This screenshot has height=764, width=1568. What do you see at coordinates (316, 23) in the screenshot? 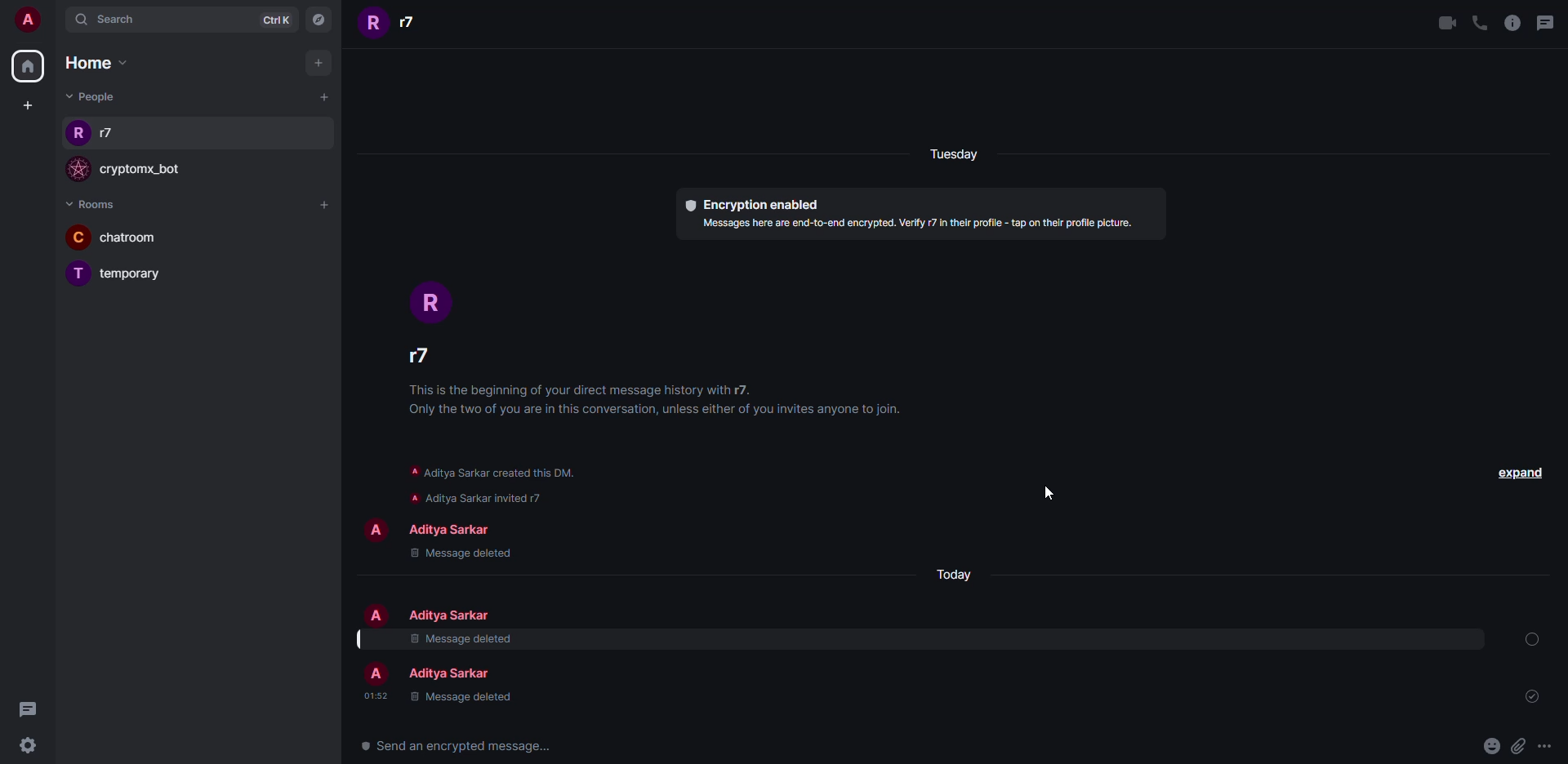
I see `navigator` at bounding box center [316, 23].